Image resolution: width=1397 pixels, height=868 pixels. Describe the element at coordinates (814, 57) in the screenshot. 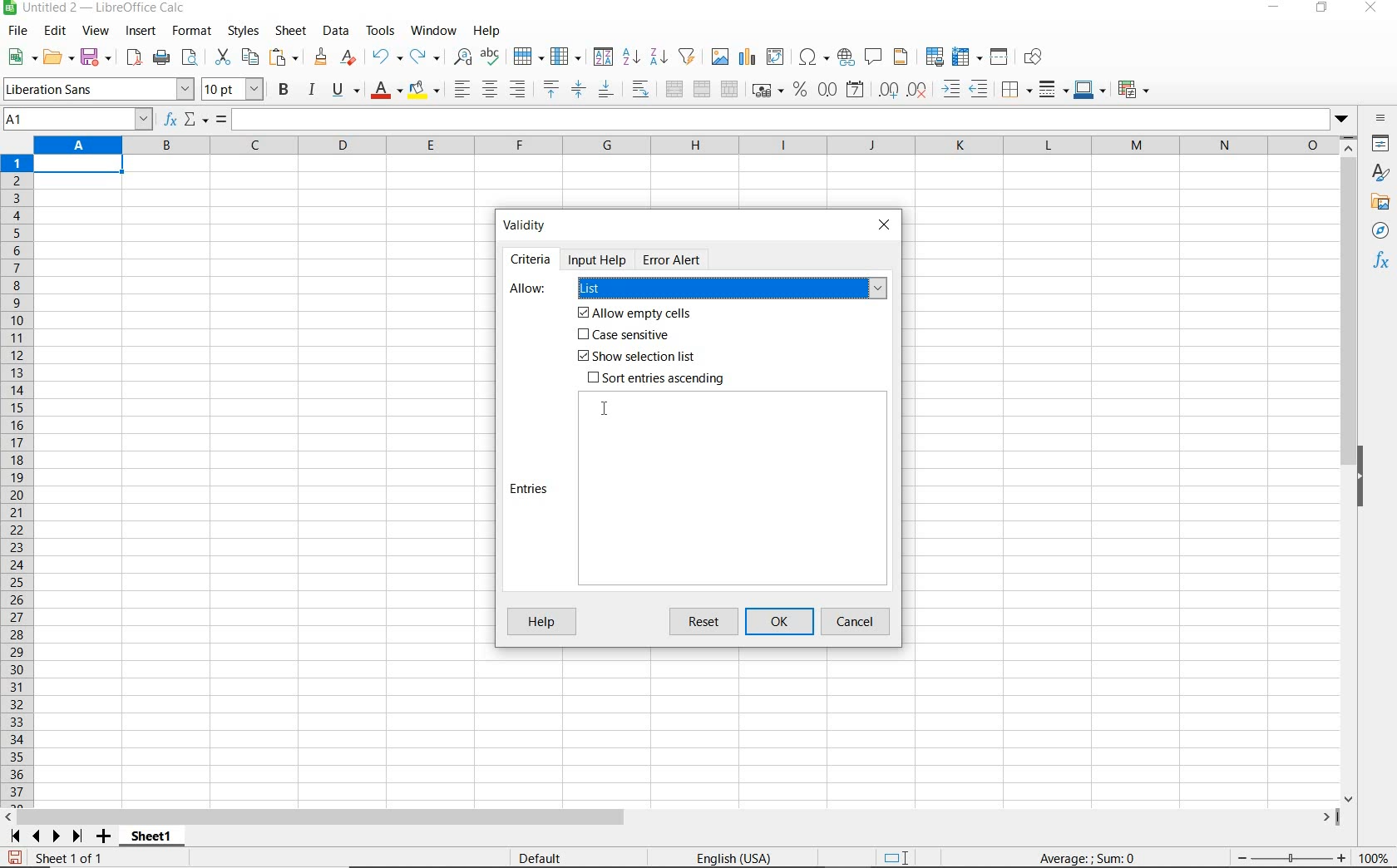

I see `insert special characters` at that location.